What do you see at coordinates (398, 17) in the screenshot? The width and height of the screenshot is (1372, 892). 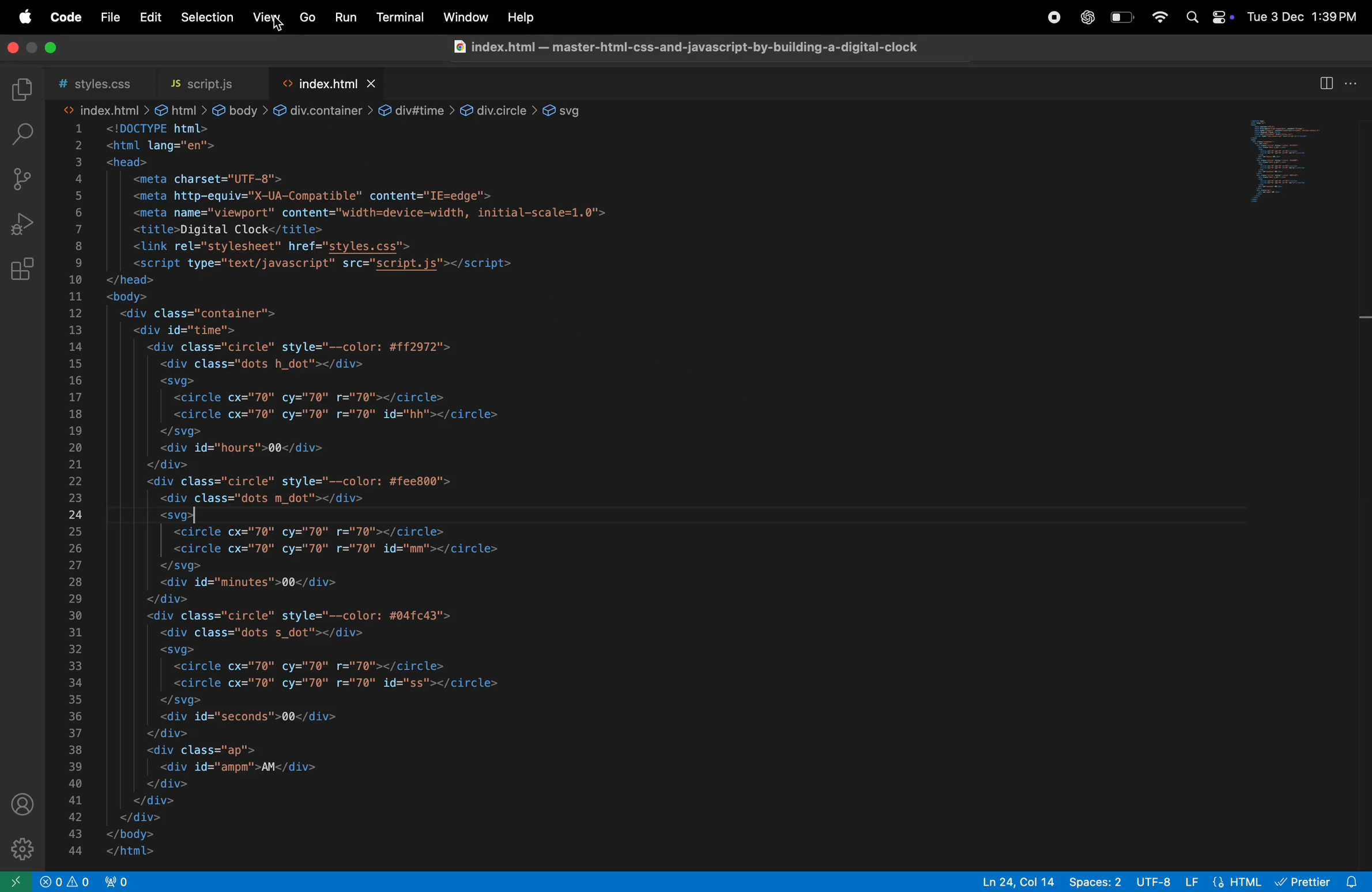 I see `terminal` at bounding box center [398, 17].